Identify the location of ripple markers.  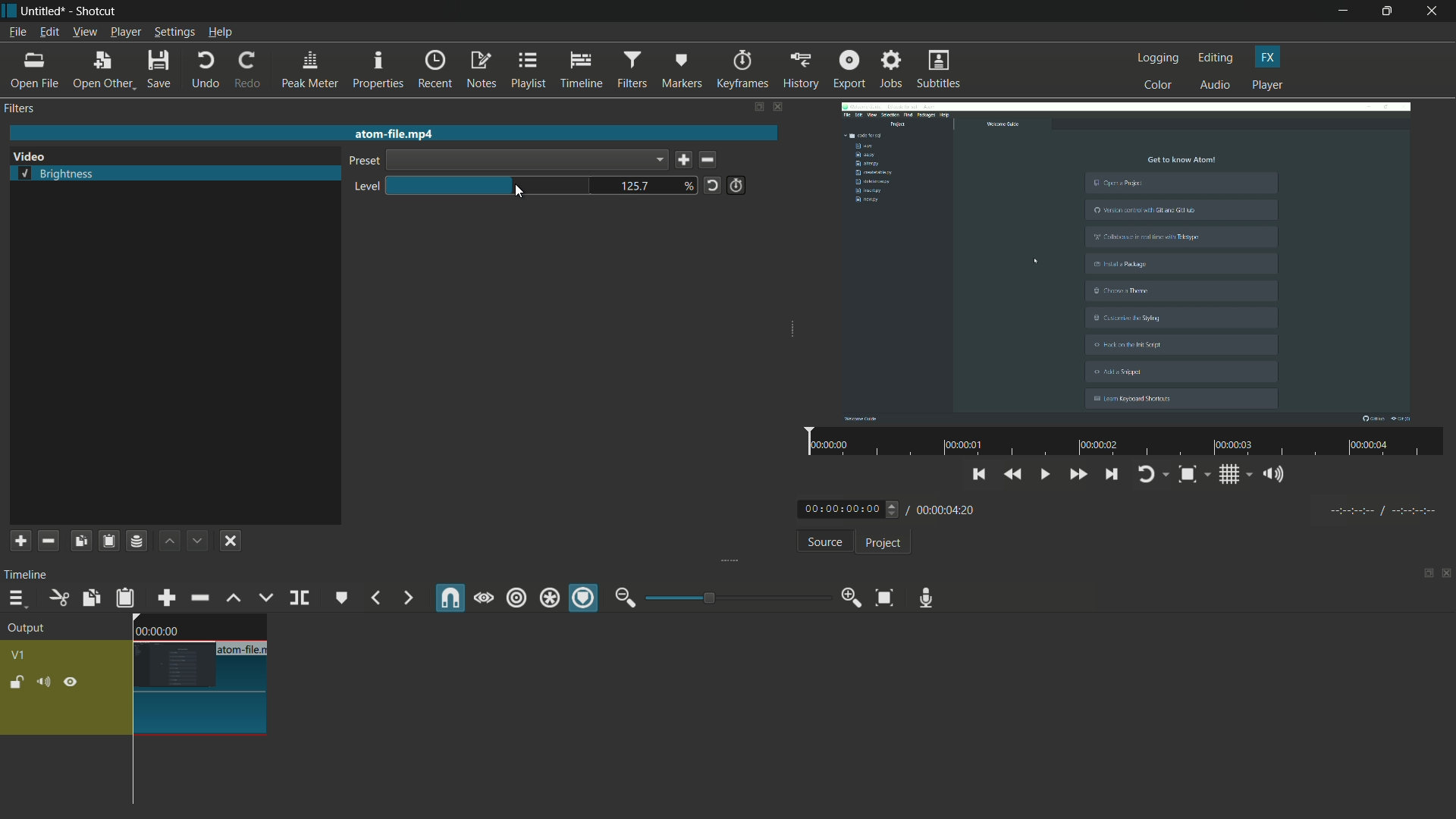
(585, 599).